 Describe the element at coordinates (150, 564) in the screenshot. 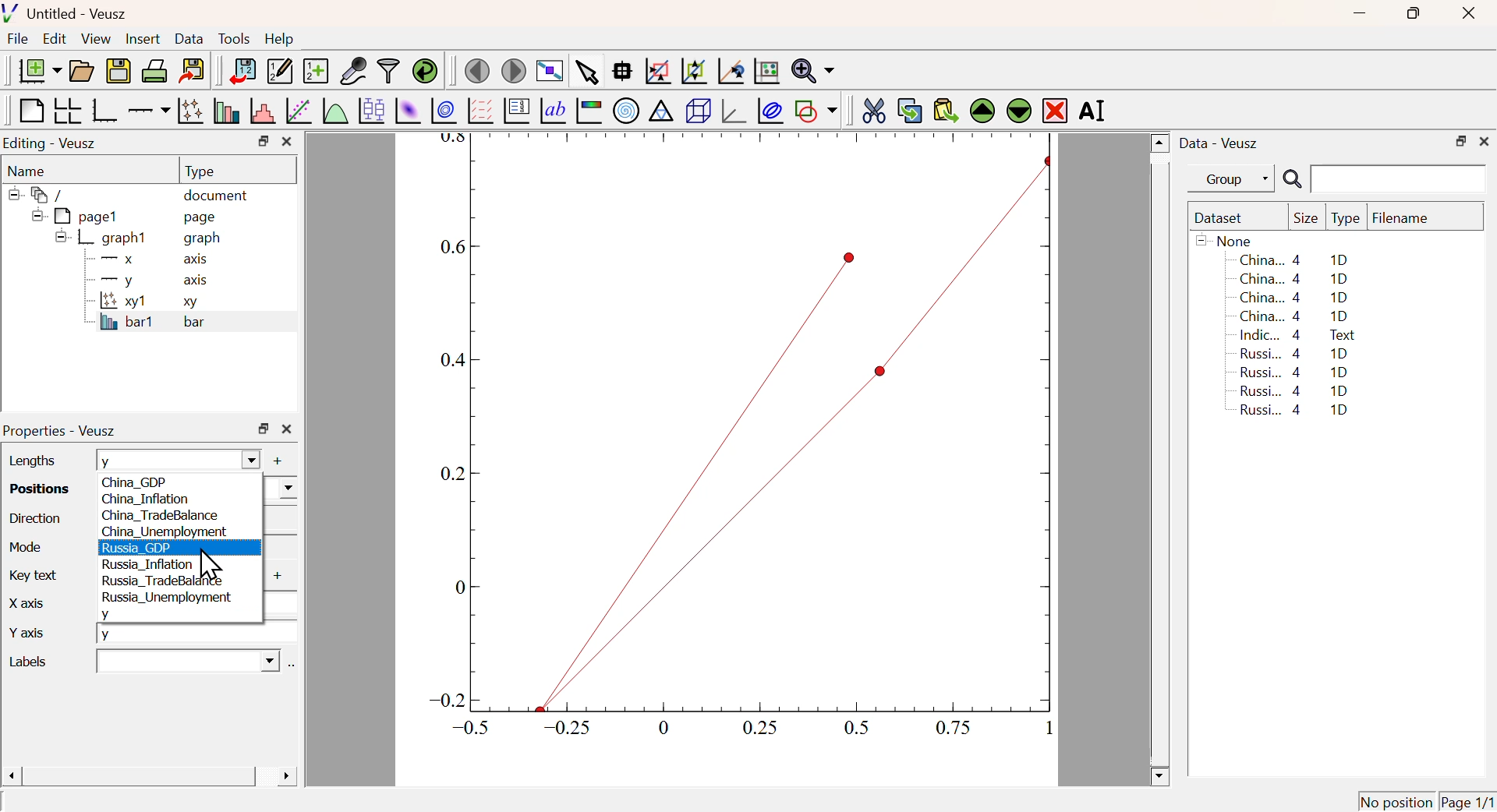

I see `Russia_Inflation` at that location.